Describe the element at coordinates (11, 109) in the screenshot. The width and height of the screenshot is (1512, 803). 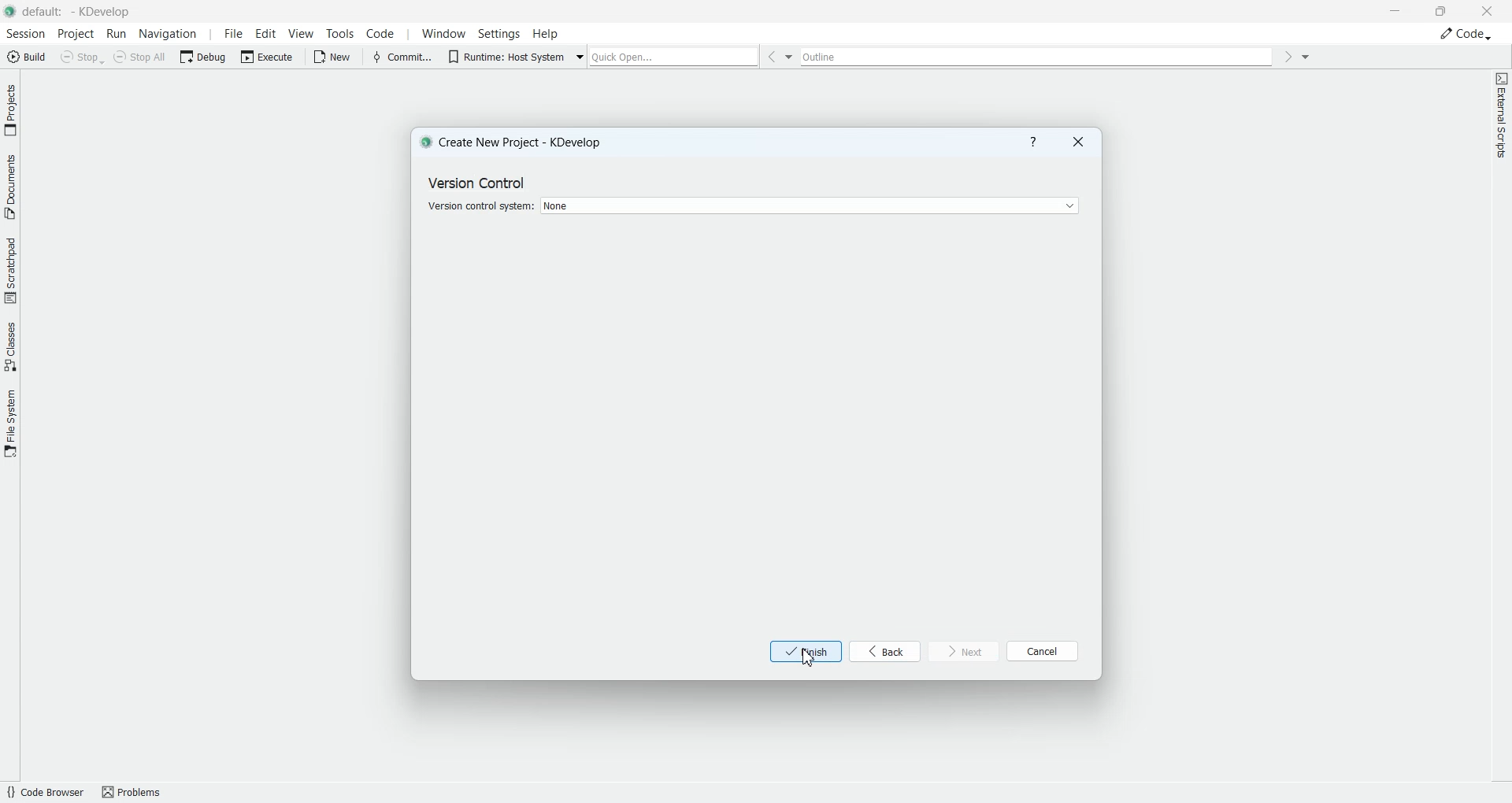
I see `Projects` at that location.